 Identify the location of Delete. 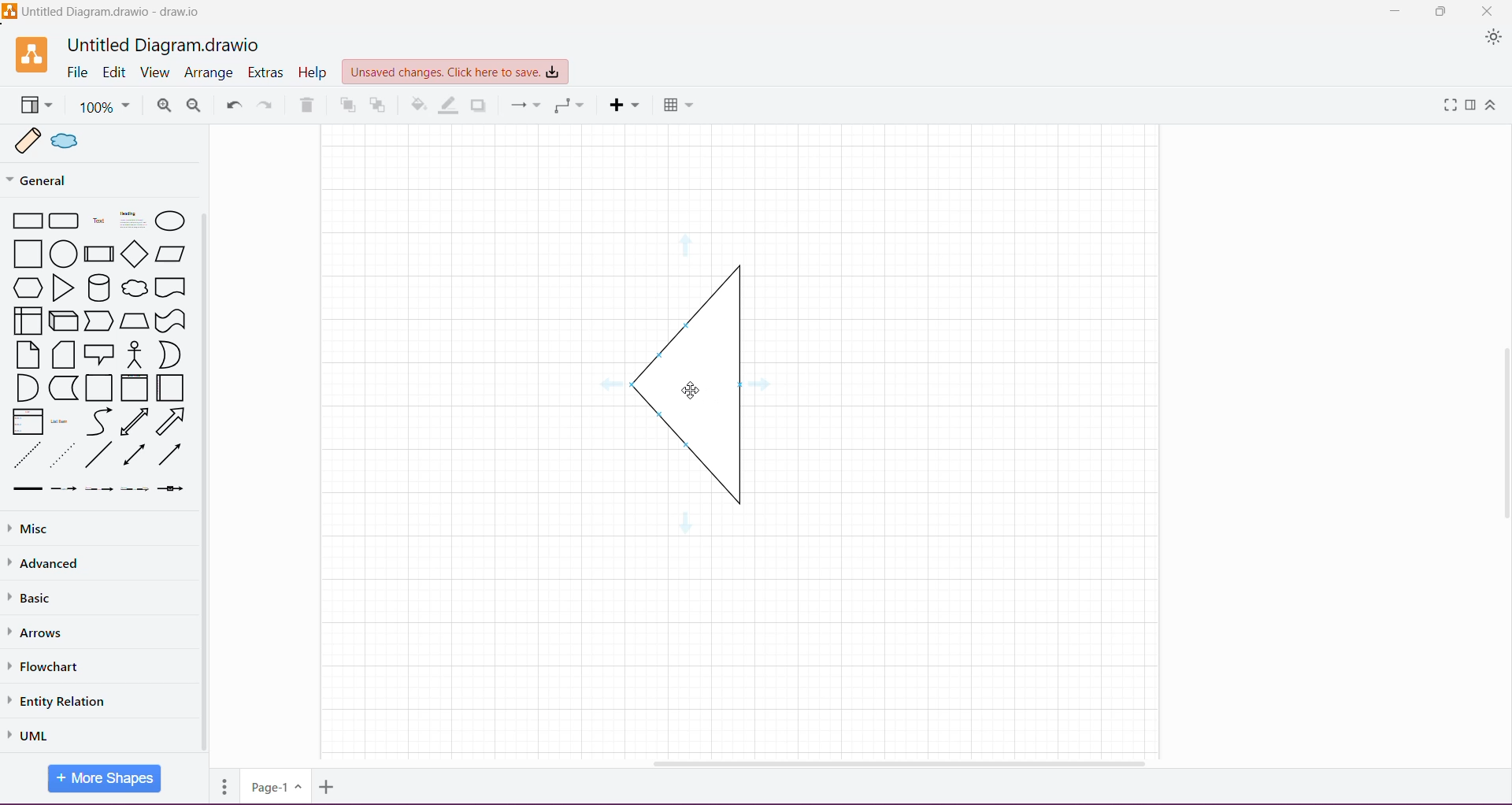
(308, 106).